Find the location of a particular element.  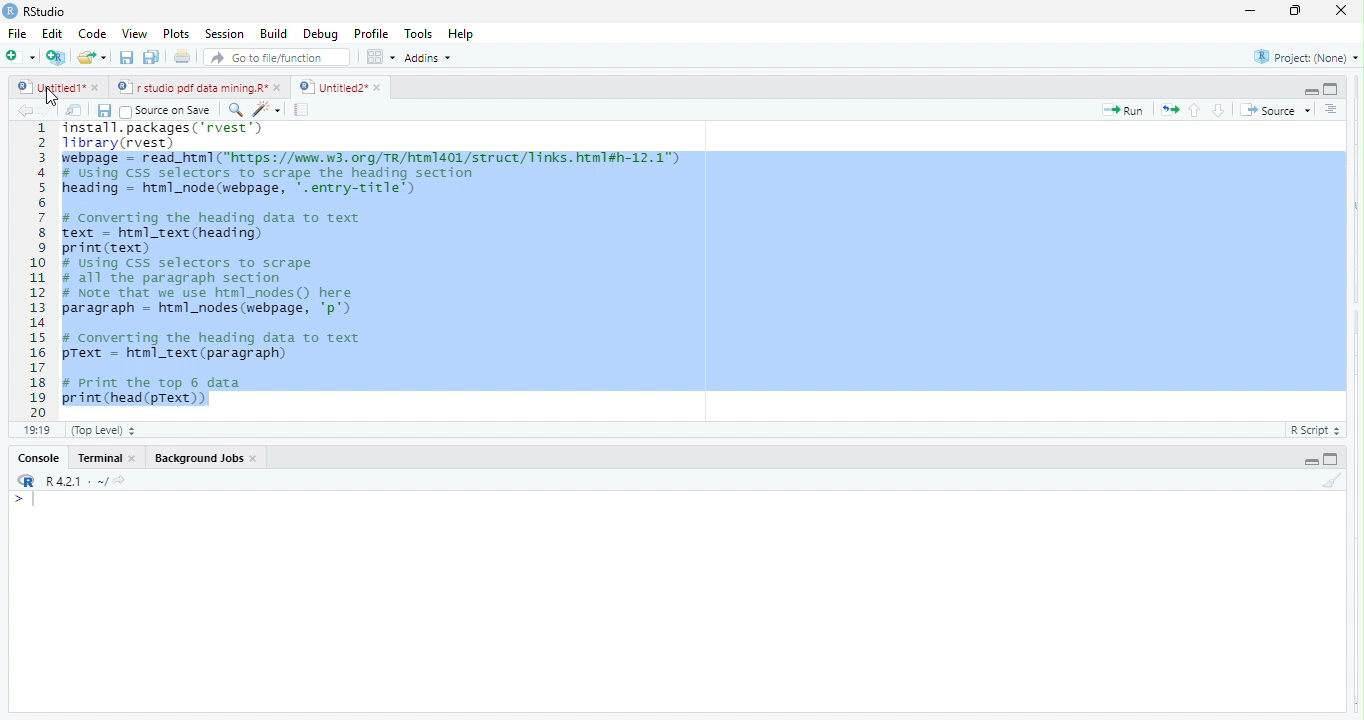

 Source  is located at coordinates (1276, 112).